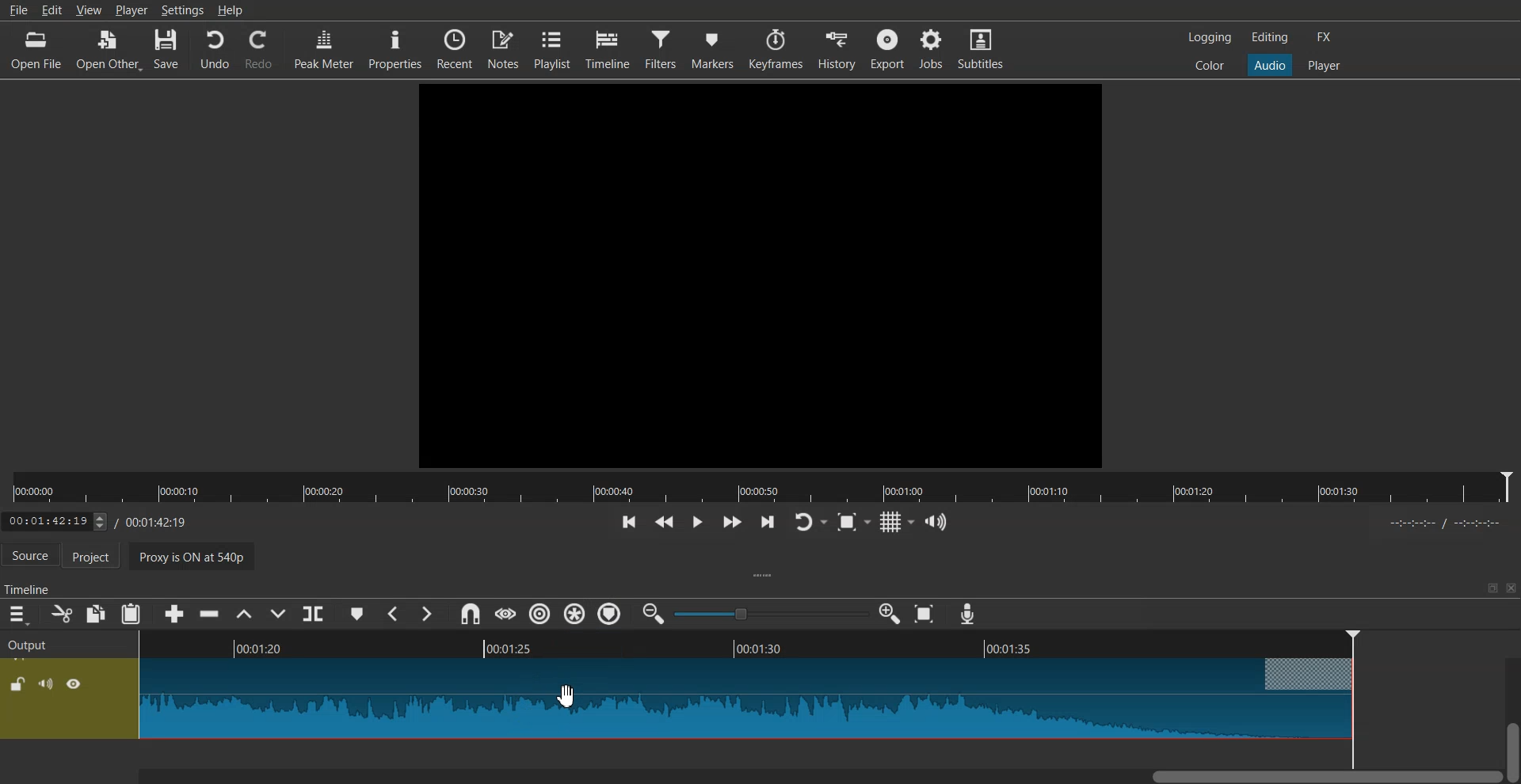 The image size is (1521, 784). I want to click on Ripple marketers, so click(610, 615).